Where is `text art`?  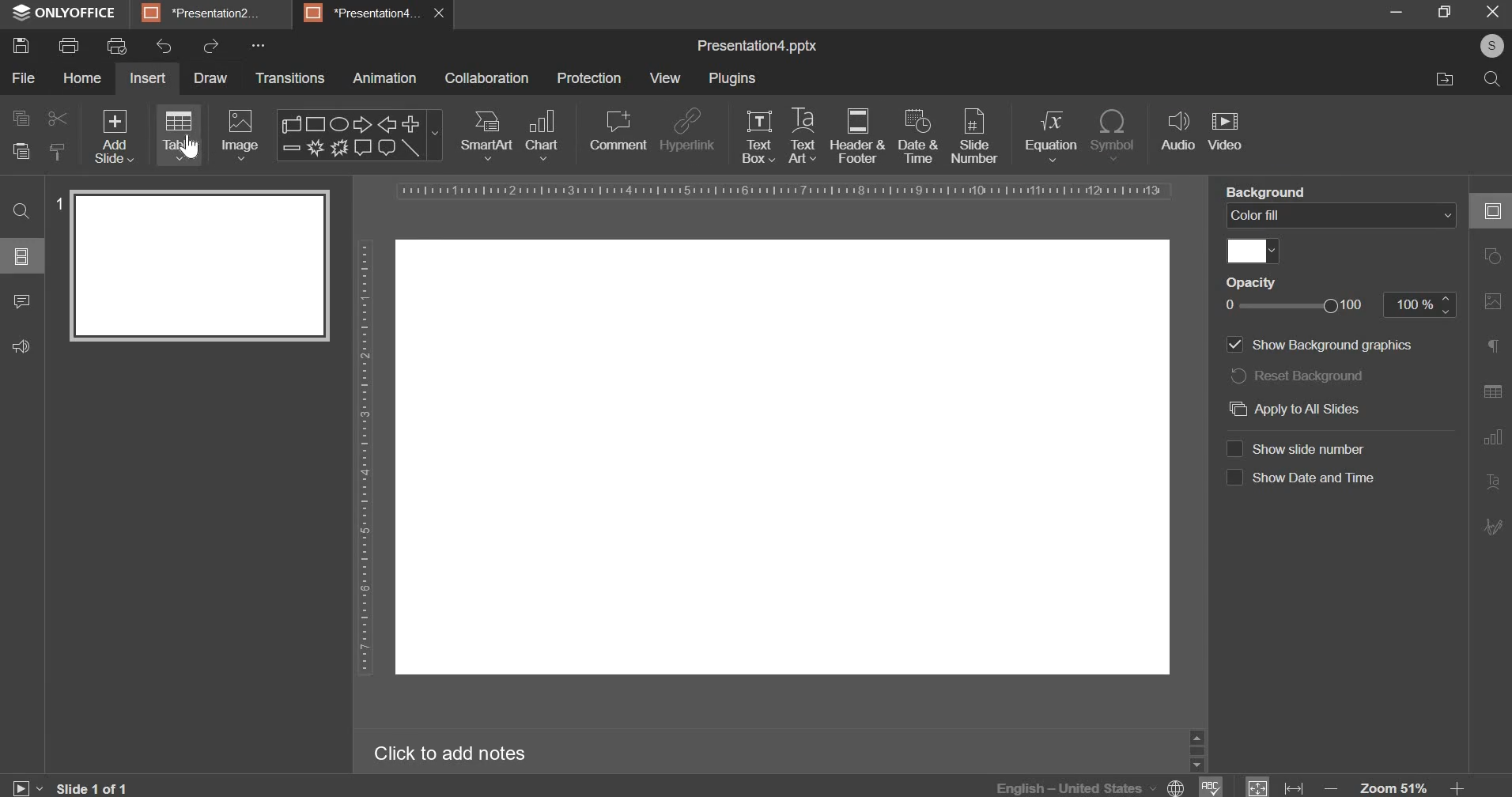 text art is located at coordinates (802, 134).